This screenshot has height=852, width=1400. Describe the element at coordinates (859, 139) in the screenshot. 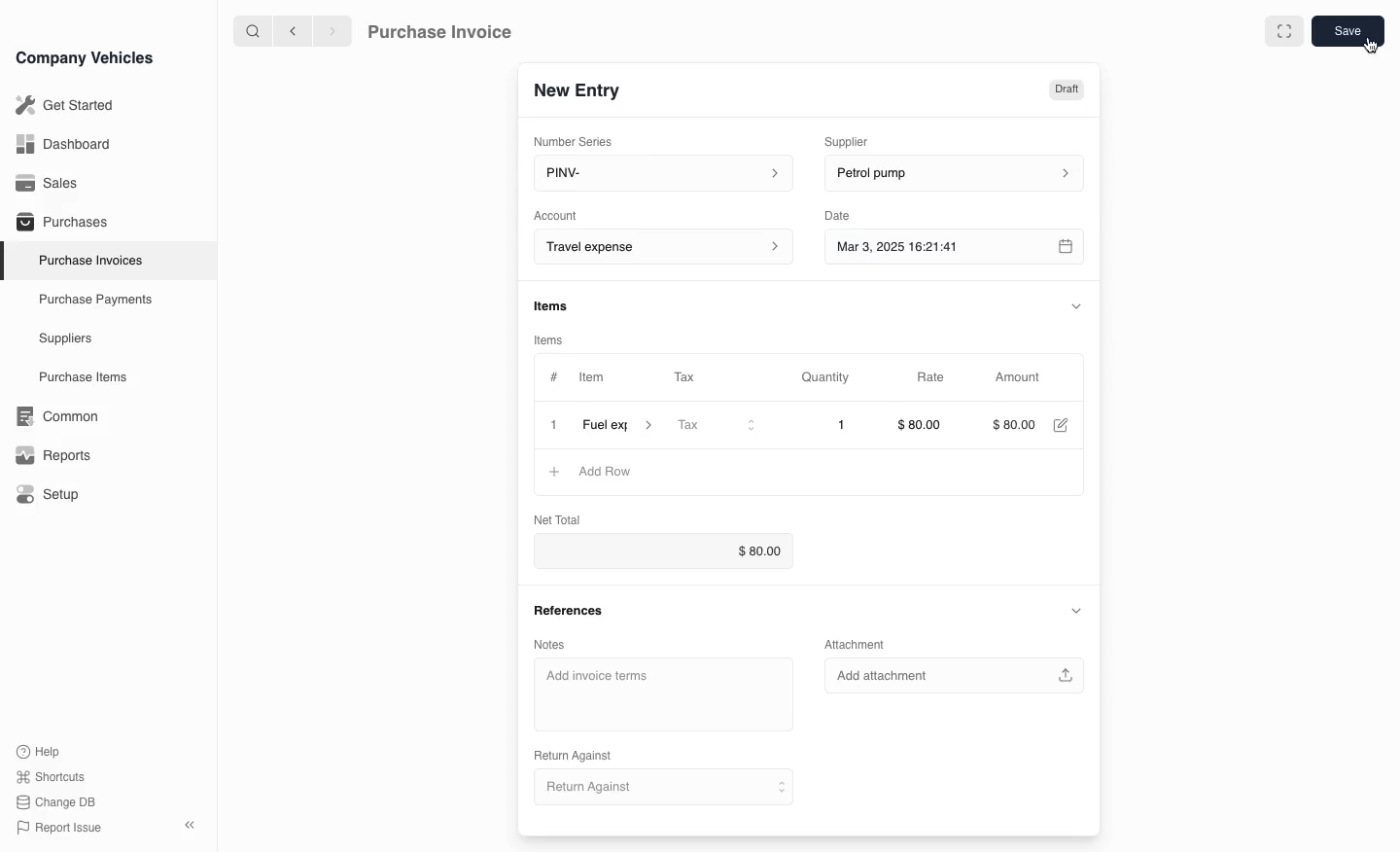

I see `Supplier` at that location.